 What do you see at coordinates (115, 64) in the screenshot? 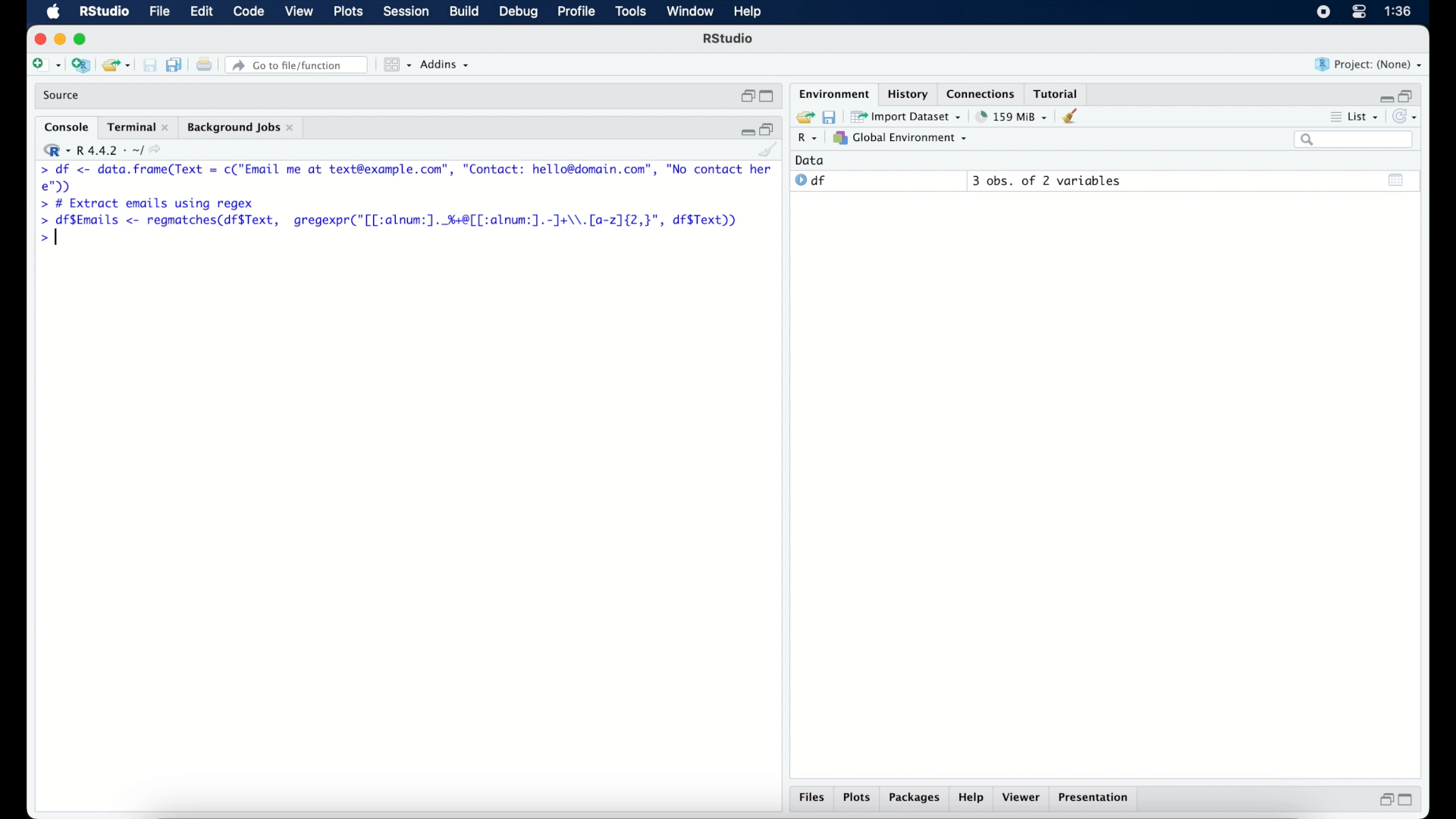
I see `open existing project` at bounding box center [115, 64].